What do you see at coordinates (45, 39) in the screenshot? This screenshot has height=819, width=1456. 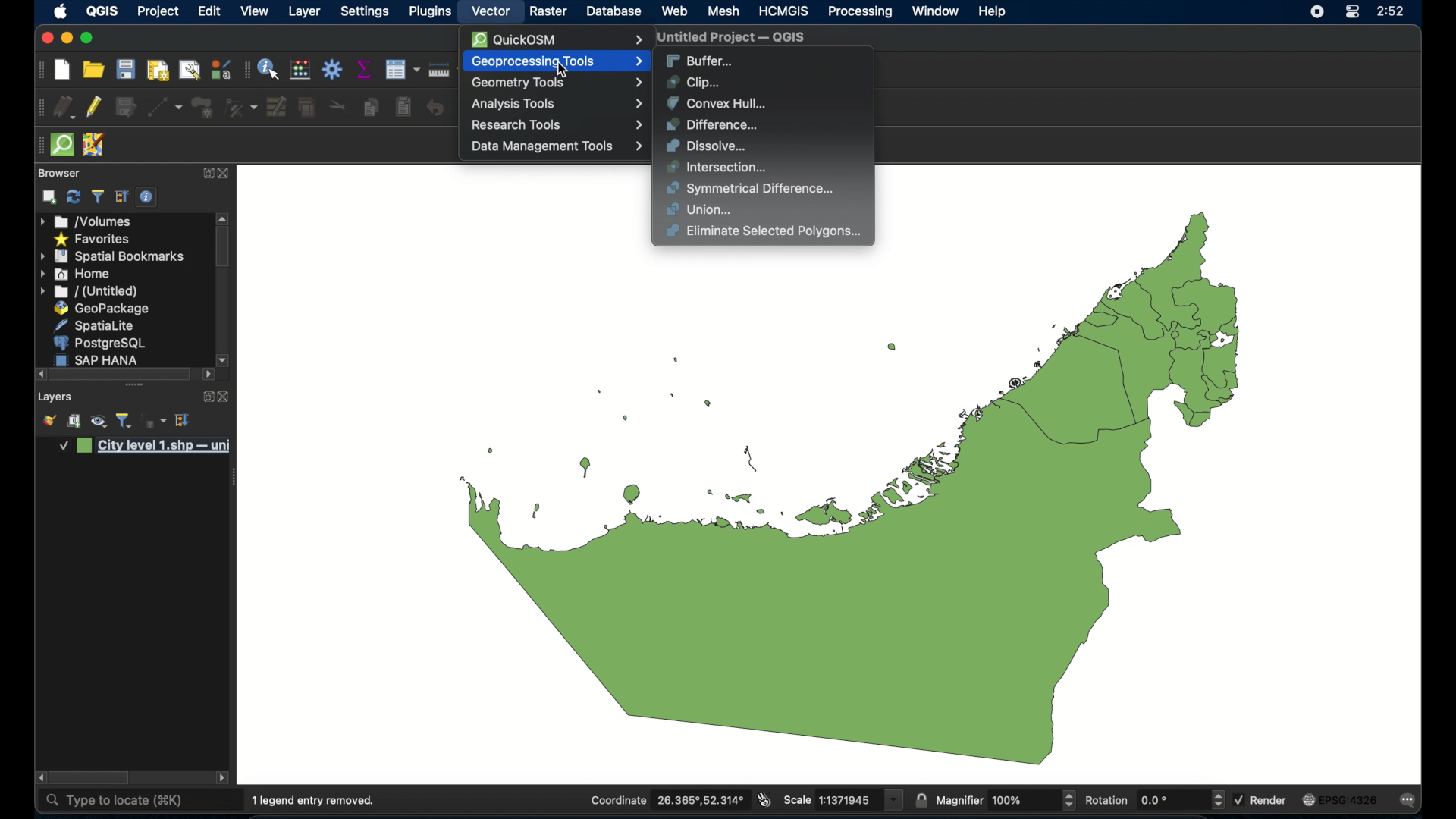 I see `maximize` at bounding box center [45, 39].